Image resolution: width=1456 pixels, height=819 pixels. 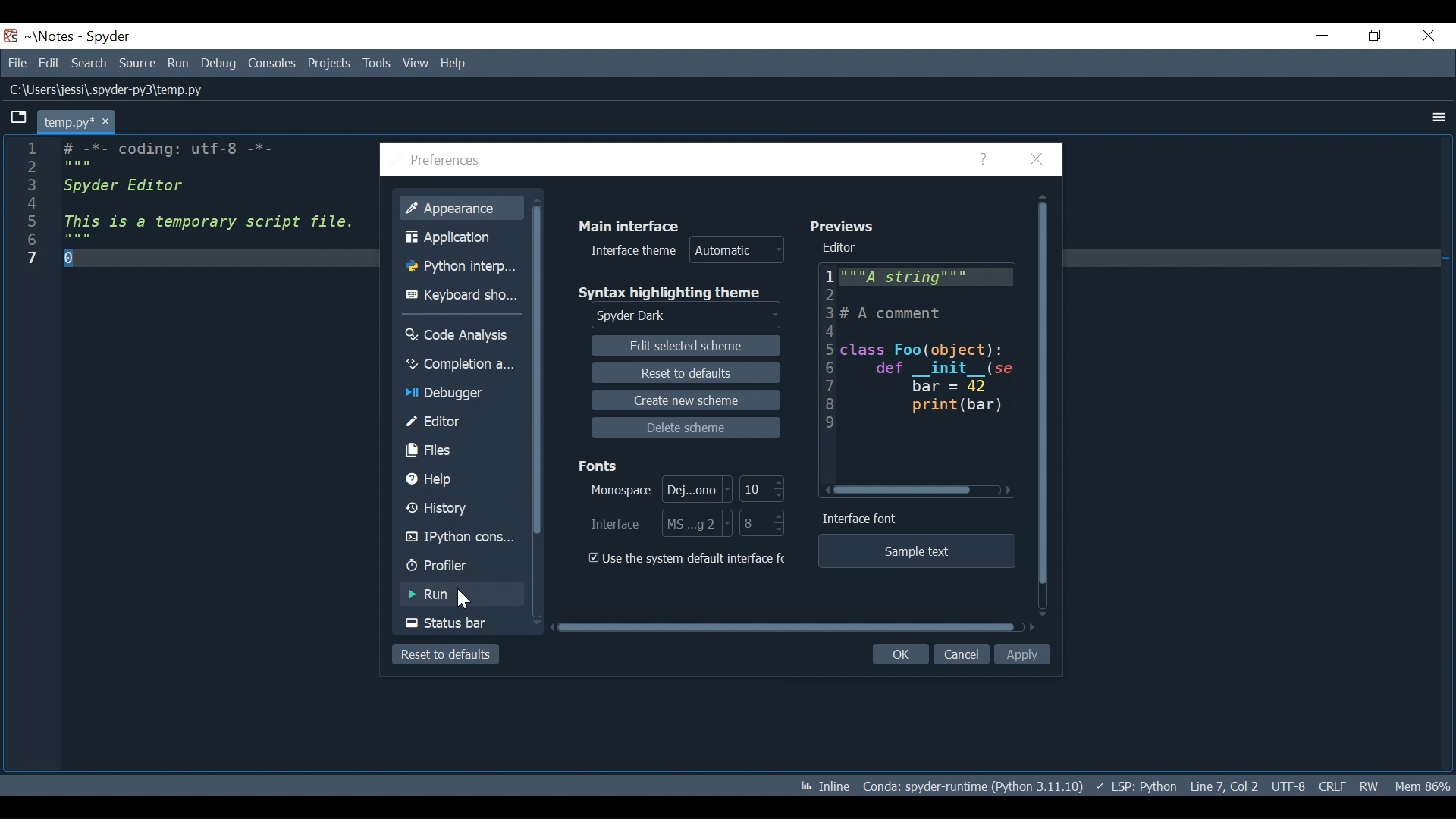 I want to click on Delete Scheme, so click(x=678, y=428).